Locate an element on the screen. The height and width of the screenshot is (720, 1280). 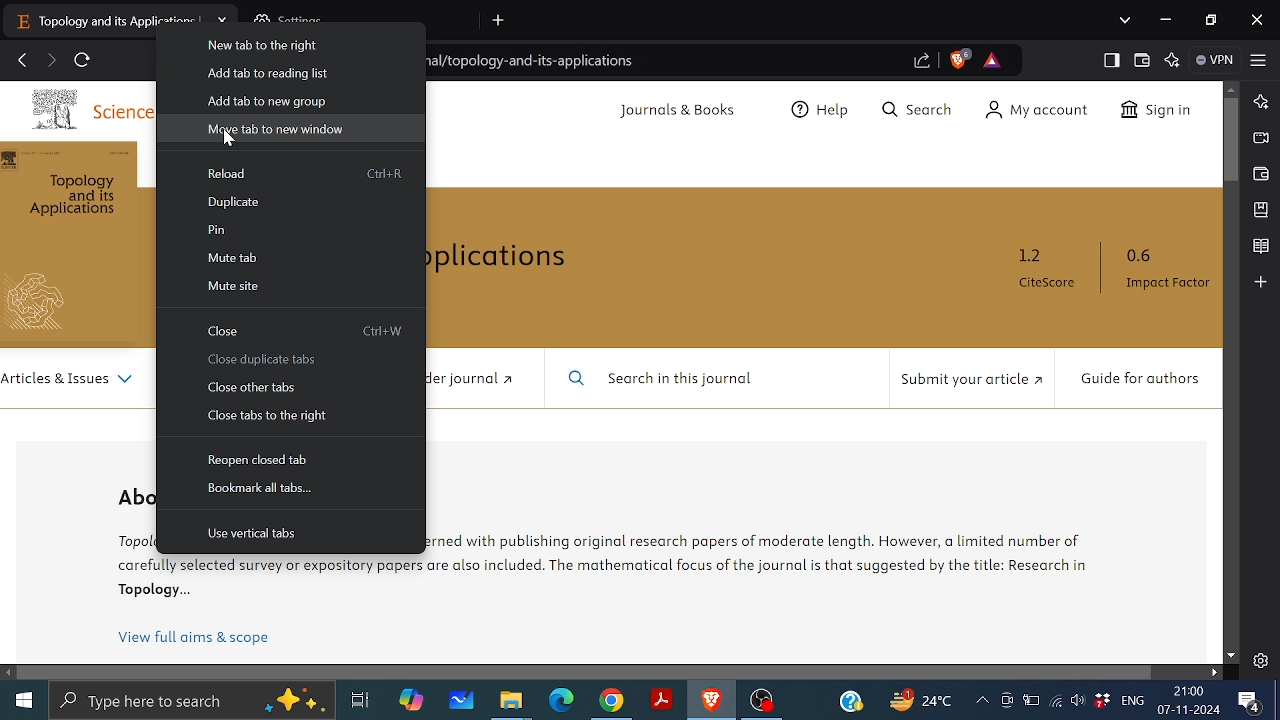
Mute site is located at coordinates (232, 285).